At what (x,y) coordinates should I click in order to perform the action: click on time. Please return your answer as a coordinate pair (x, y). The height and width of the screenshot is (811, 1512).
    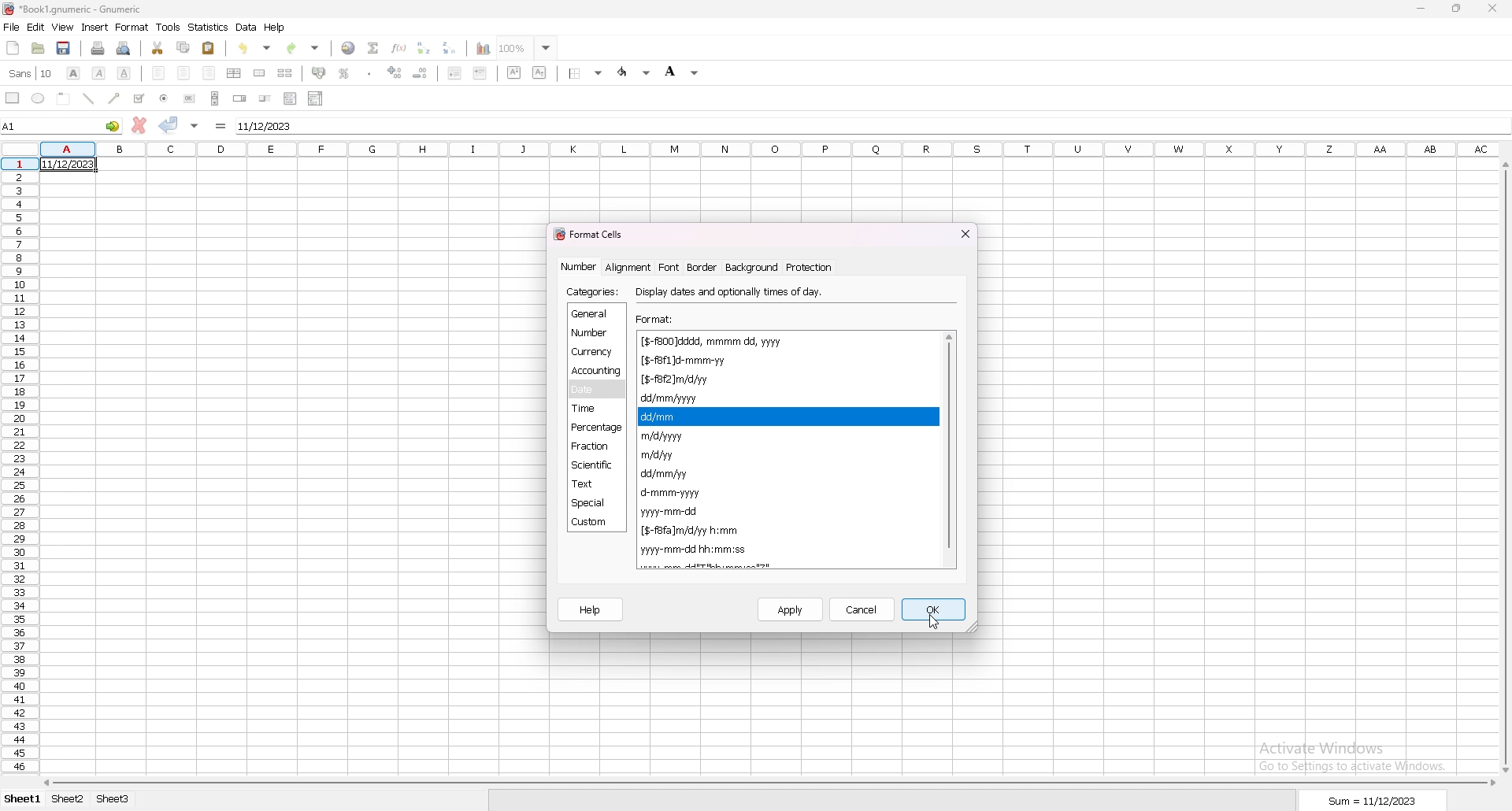
    Looking at the image, I should click on (592, 409).